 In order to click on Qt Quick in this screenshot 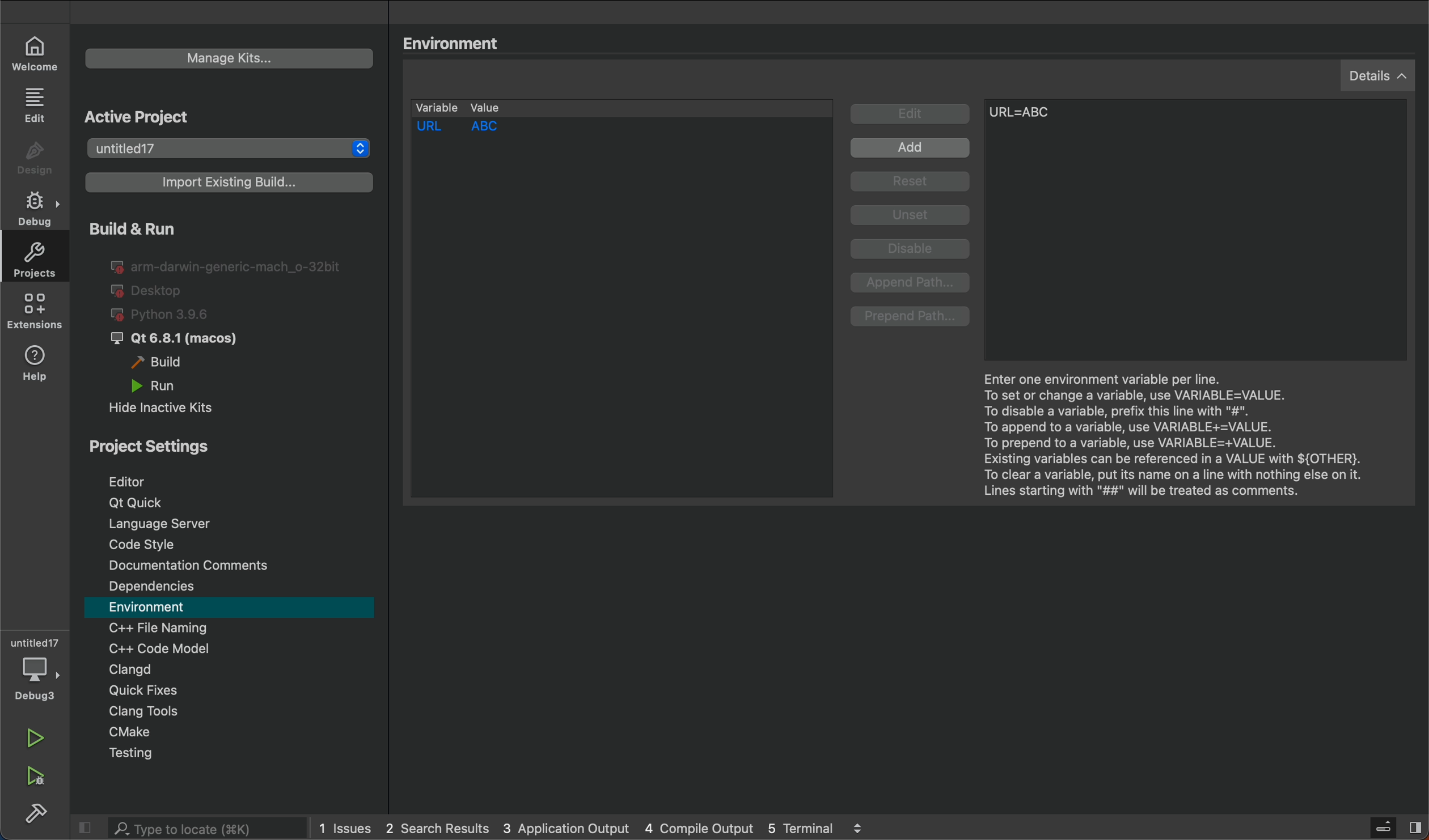, I will do `click(238, 503)`.